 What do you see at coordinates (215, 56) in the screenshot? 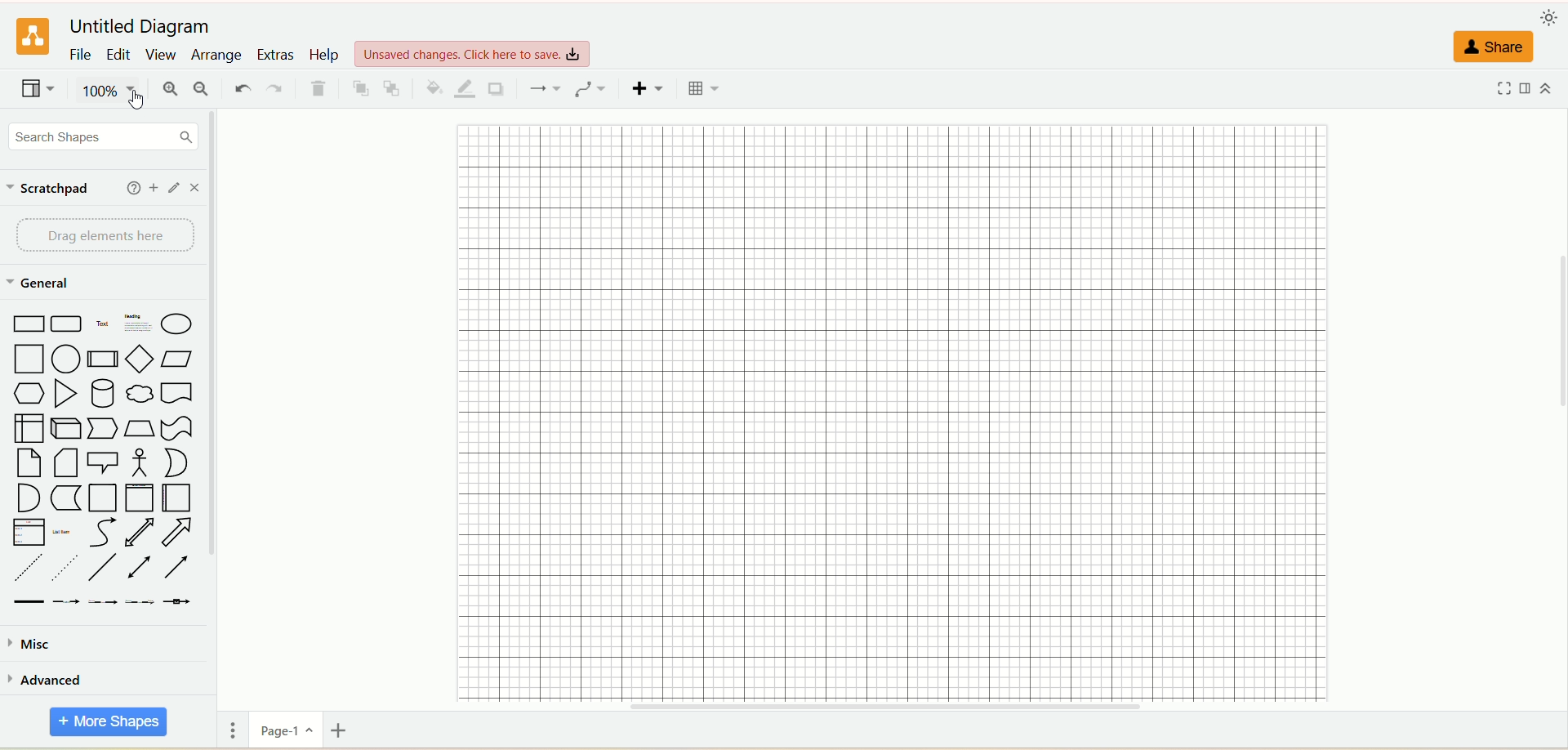
I see `arrange` at bounding box center [215, 56].